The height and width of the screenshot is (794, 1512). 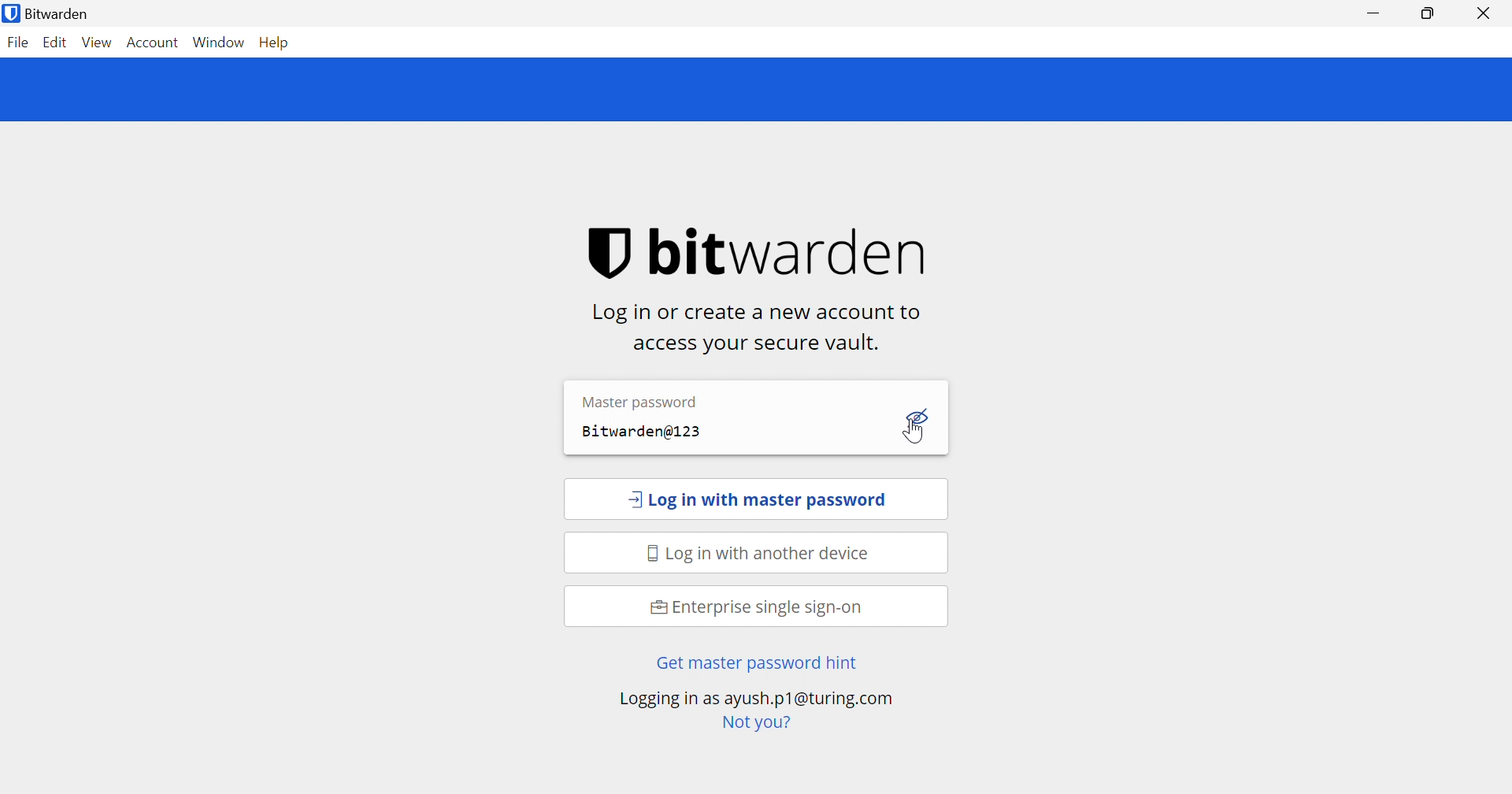 What do you see at coordinates (758, 501) in the screenshot?
I see `Log in with masterpassword` at bounding box center [758, 501].